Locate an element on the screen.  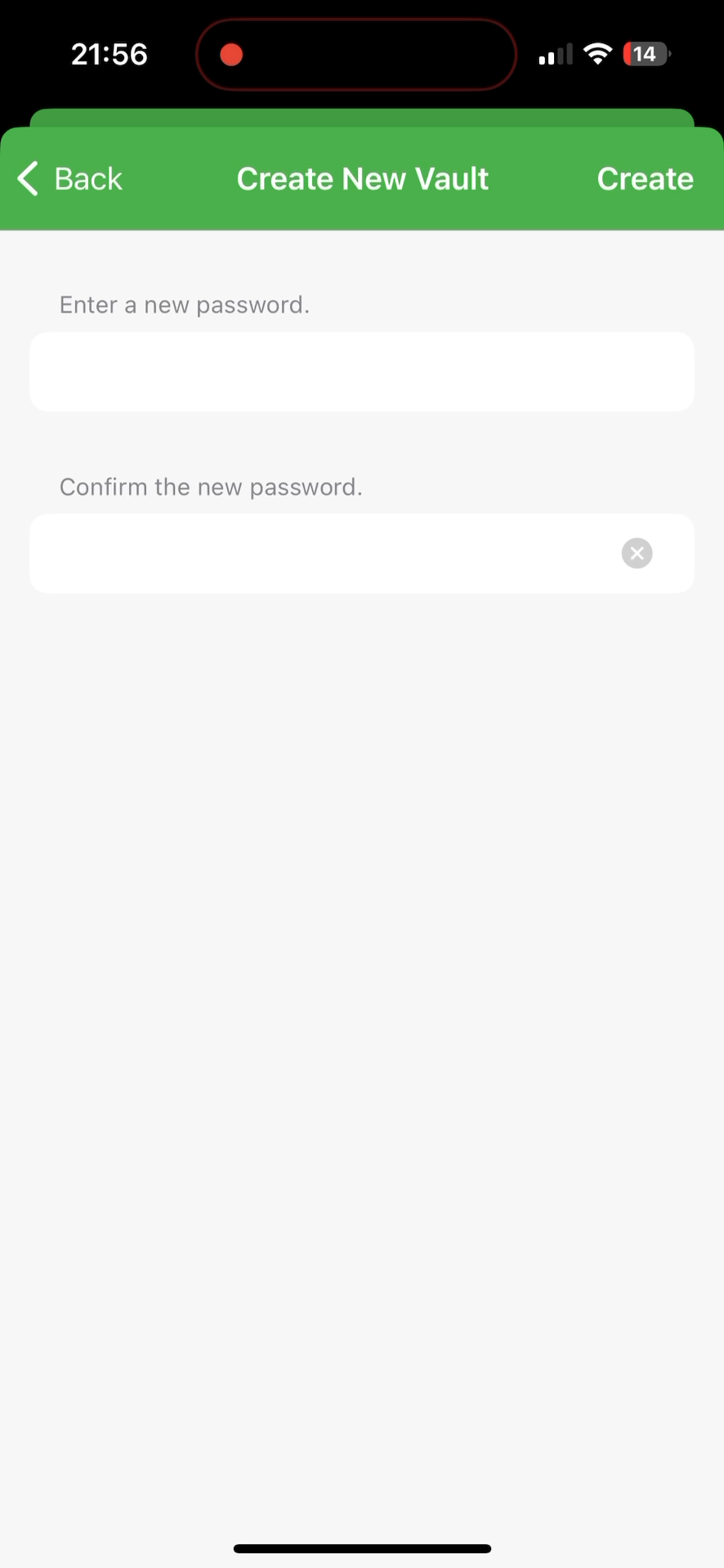
21:56 is located at coordinates (107, 57).